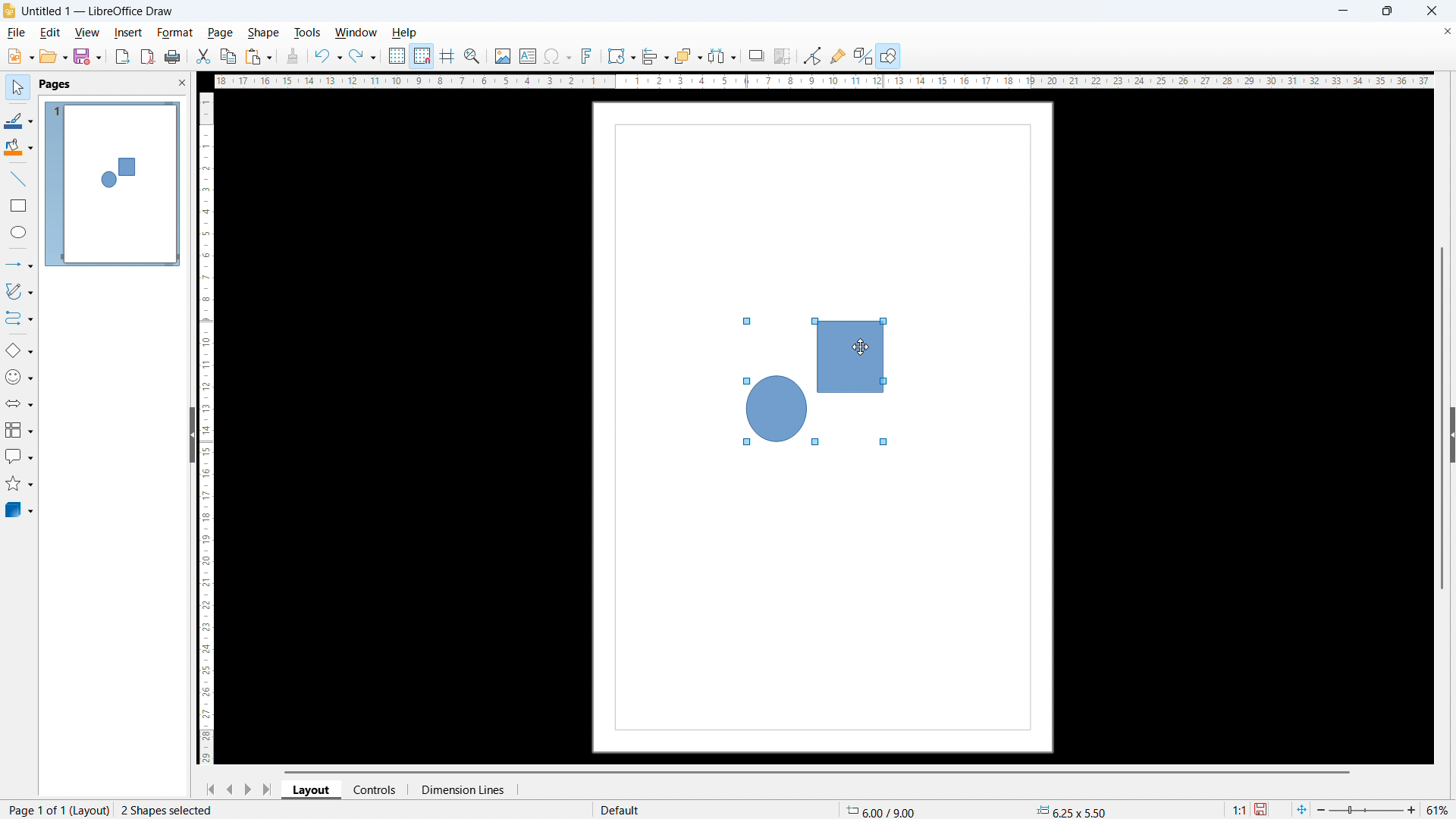 The image size is (1456, 819). What do you see at coordinates (784, 55) in the screenshot?
I see `crop image` at bounding box center [784, 55].